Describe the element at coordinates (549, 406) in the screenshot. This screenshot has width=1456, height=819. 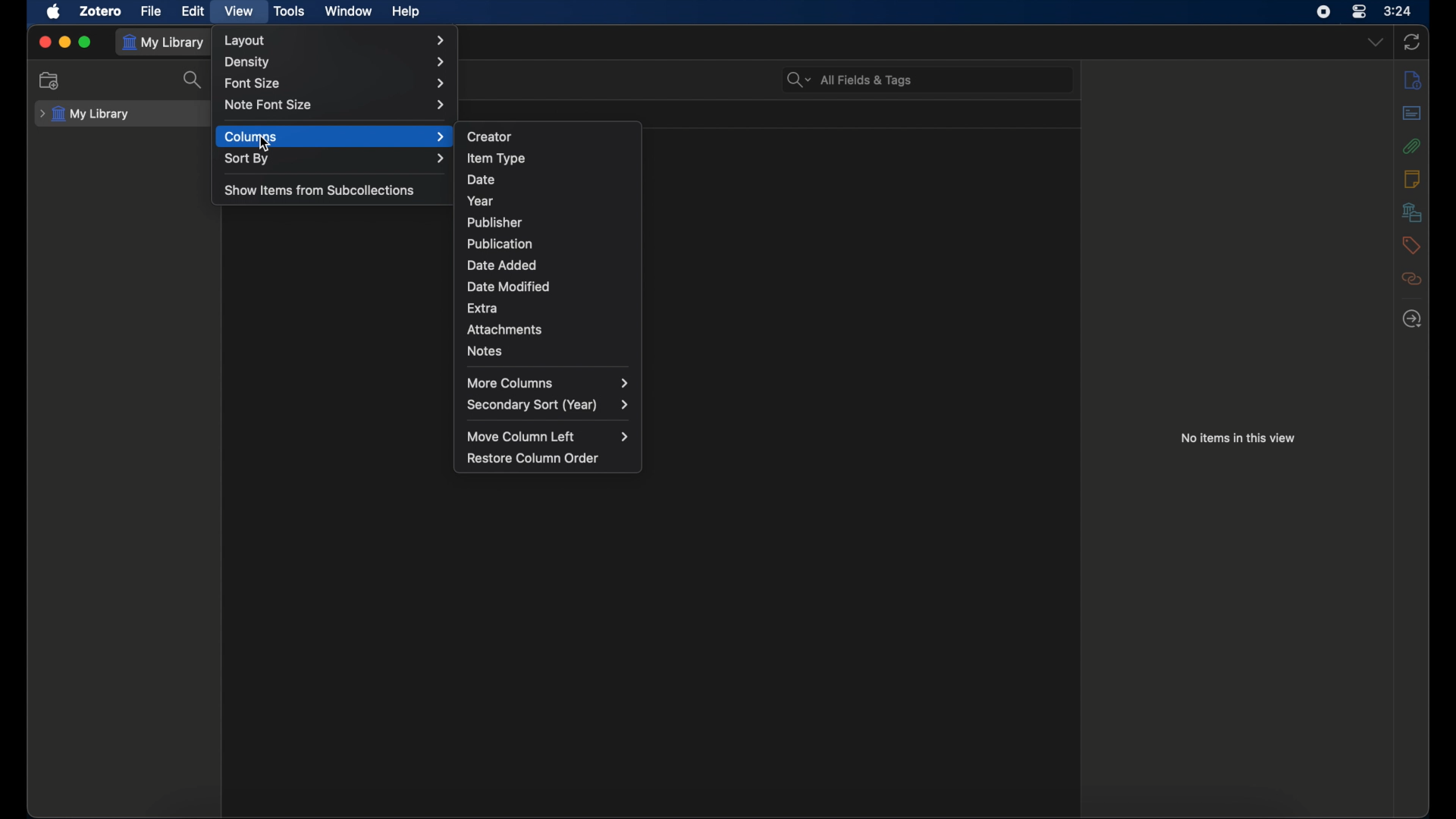
I see `secondary sort` at that location.